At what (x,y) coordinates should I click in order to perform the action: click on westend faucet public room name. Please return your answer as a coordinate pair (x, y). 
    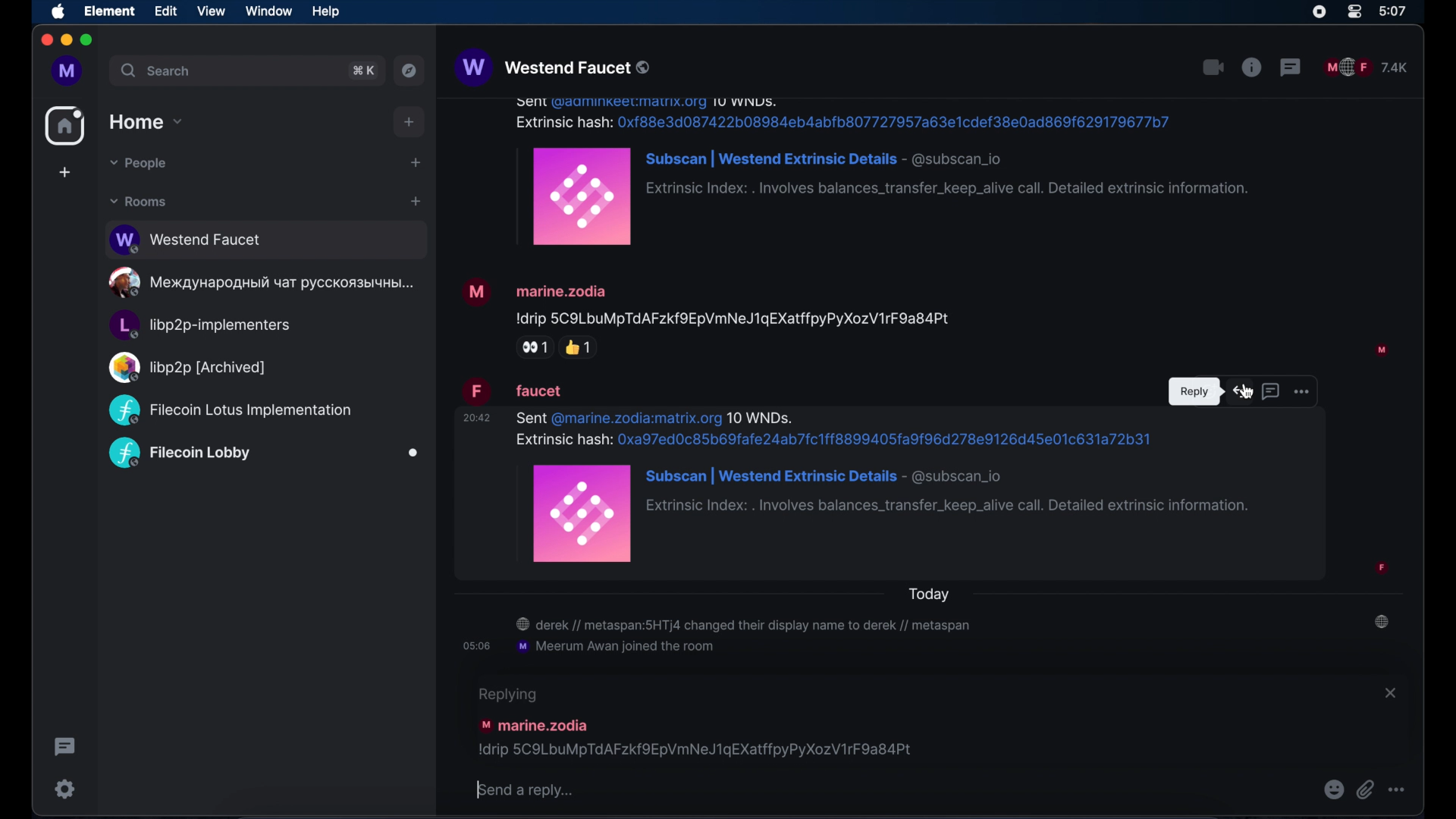
    Looking at the image, I should click on (553, 69).